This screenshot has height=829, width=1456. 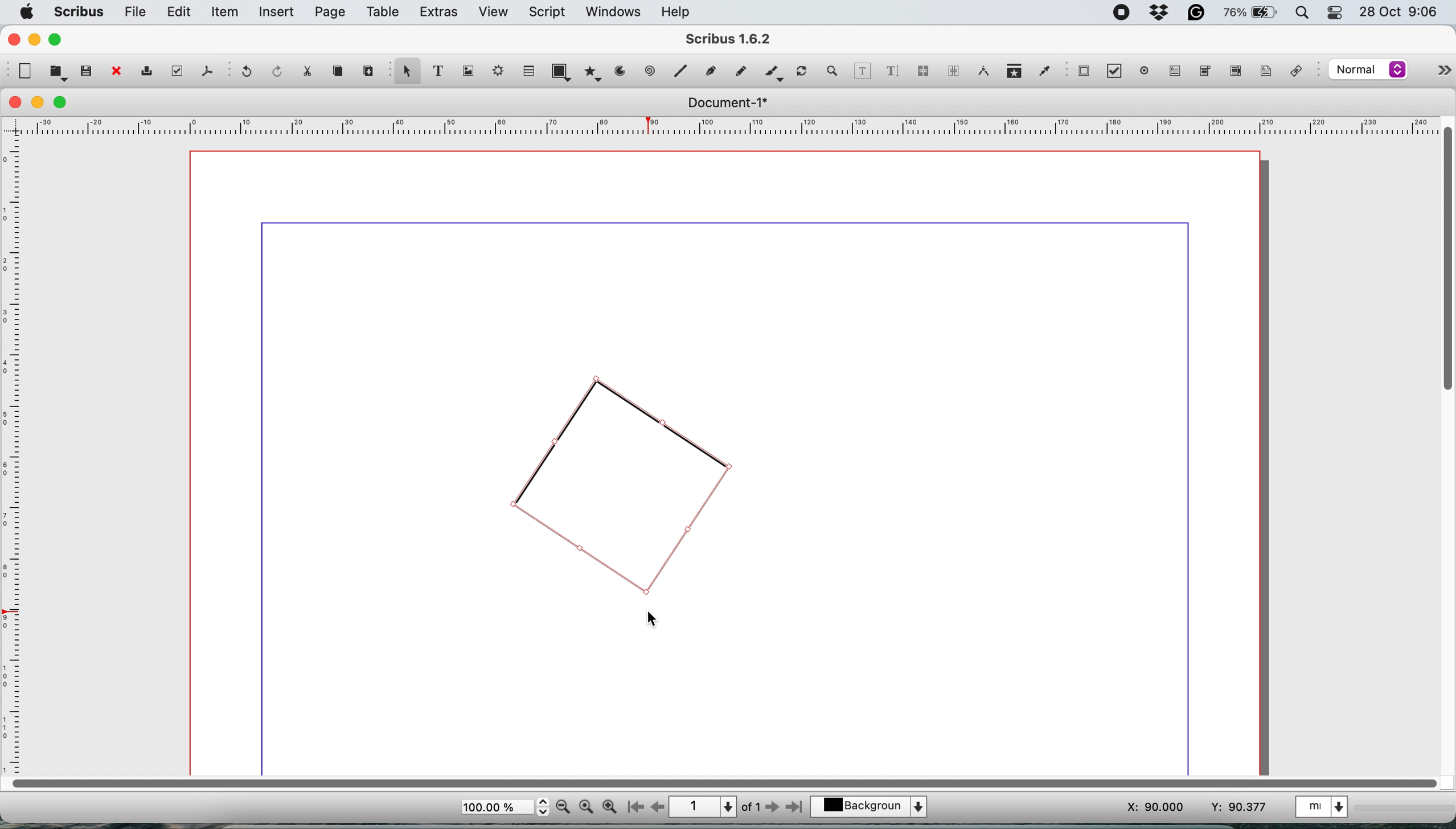 What do you see at coordinates (772, 71) in the screenshot?
I see `calligraphic line` at bounding box center [772, 71].